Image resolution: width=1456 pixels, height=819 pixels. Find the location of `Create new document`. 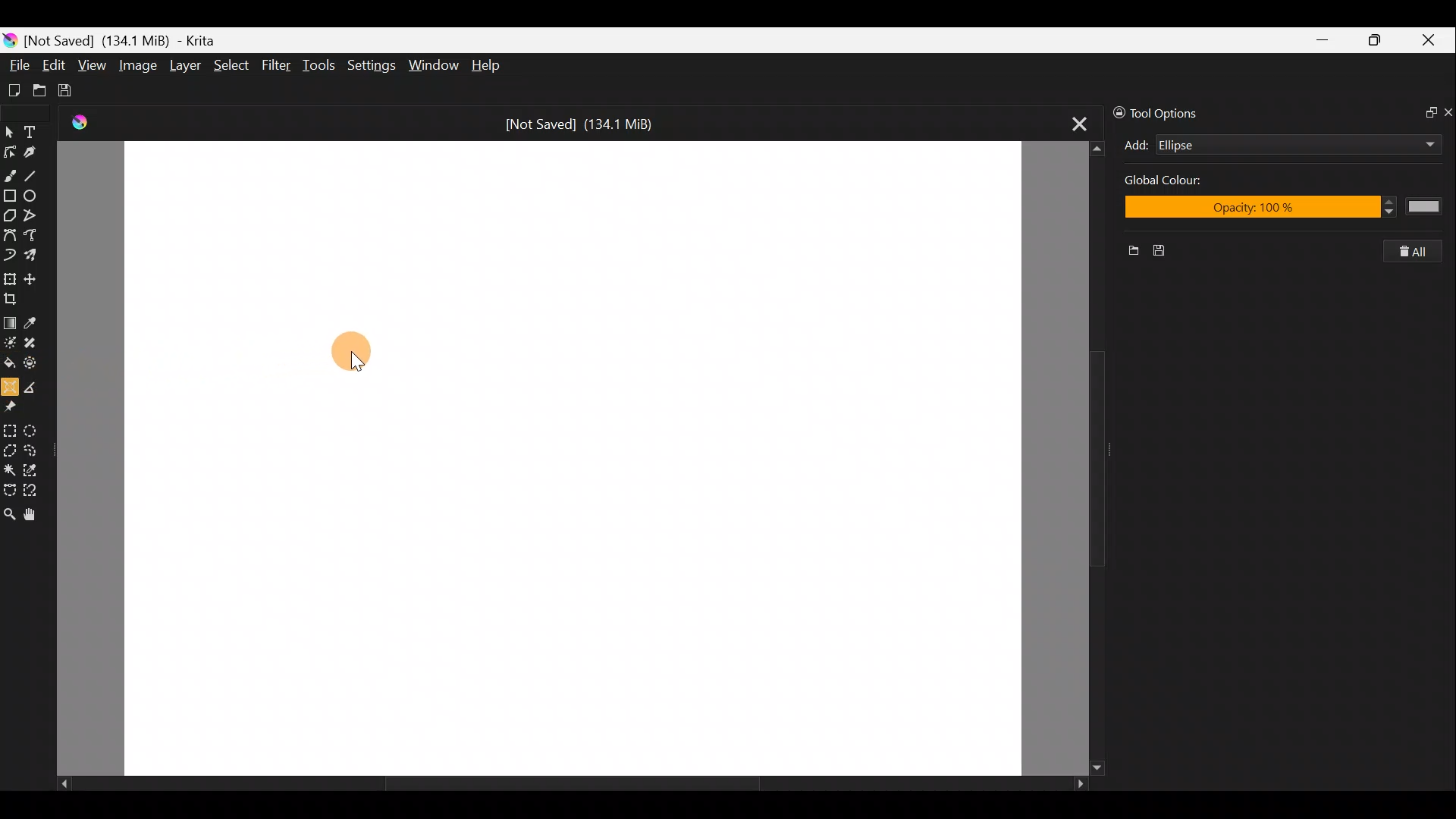

Create new document is located at coordinates (13, 89).